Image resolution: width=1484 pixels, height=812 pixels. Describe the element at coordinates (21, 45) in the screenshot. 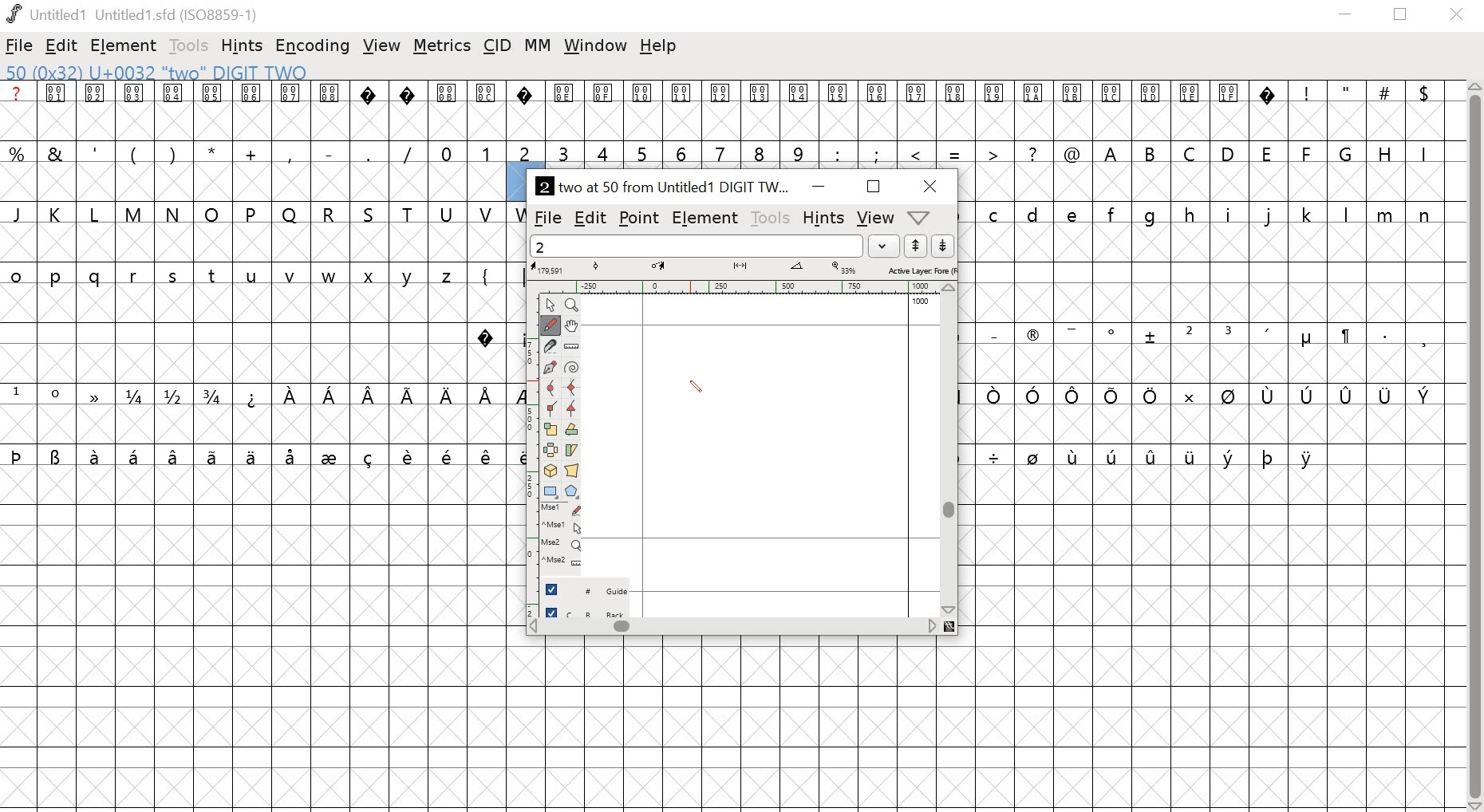

I see `file` at that location.